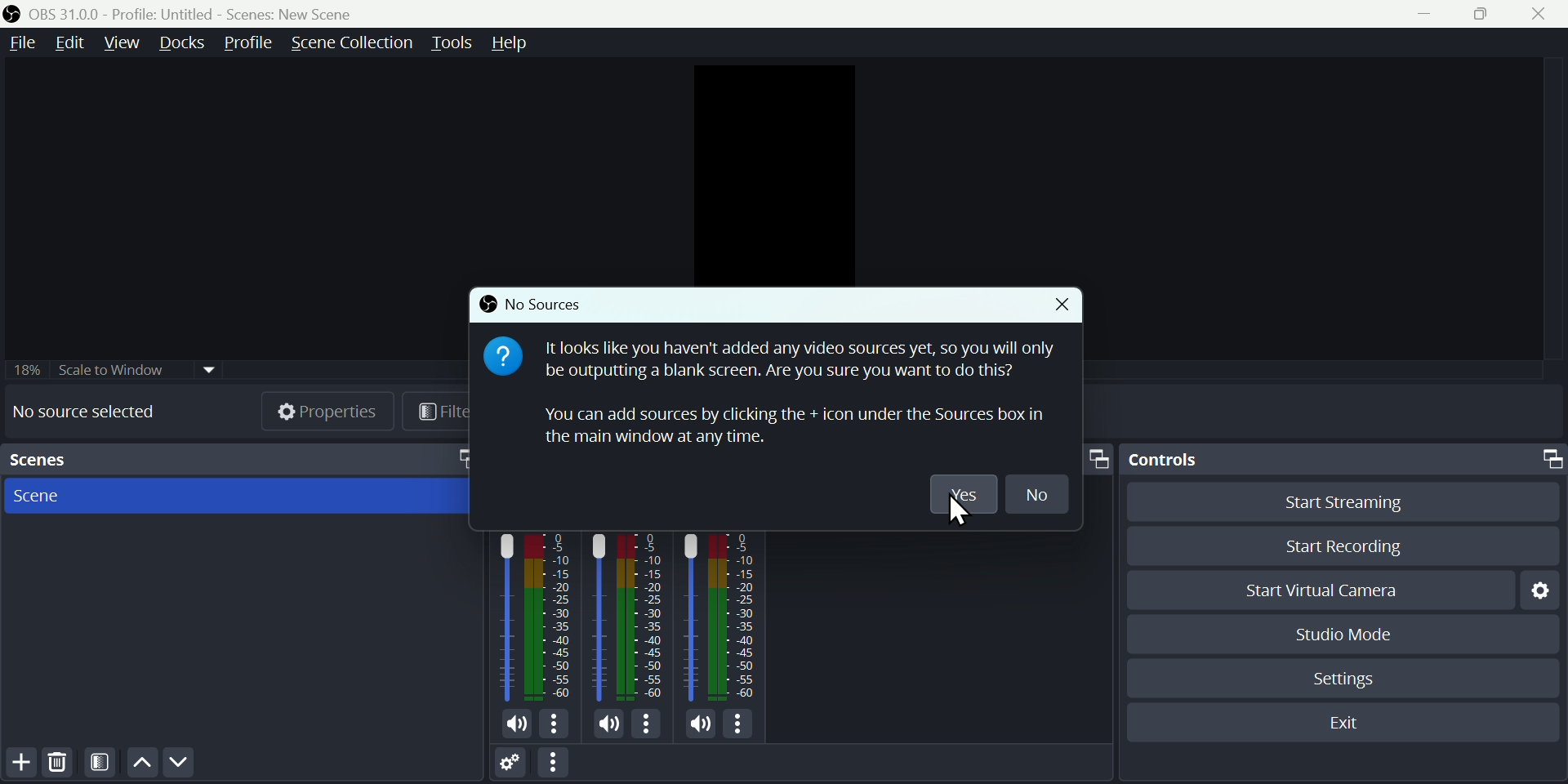  I want to click on Maximise, so click(1477, 16).